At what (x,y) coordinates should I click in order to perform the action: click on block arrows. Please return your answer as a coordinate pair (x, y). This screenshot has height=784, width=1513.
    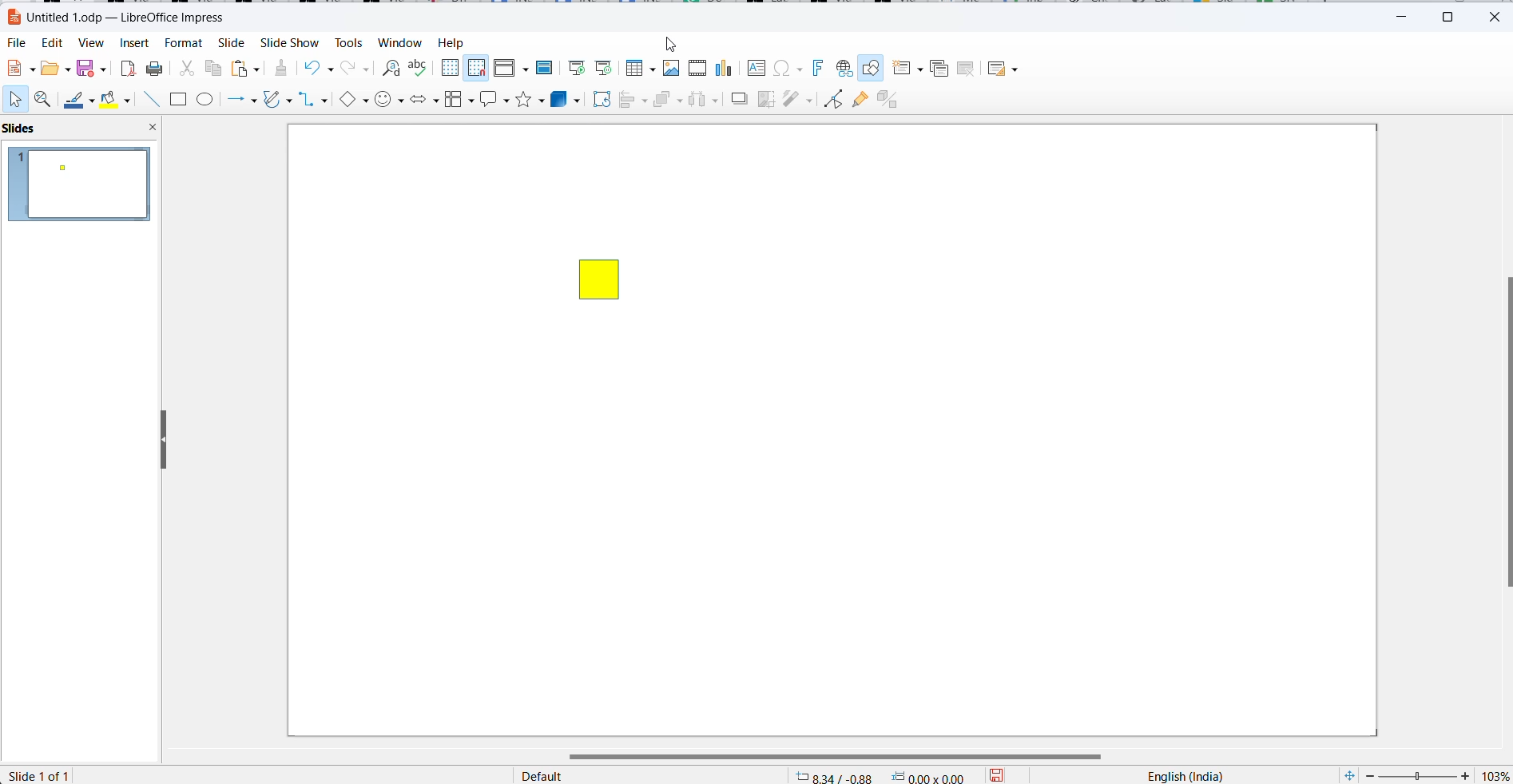
    Looking at the image, I should click on (424, 100).